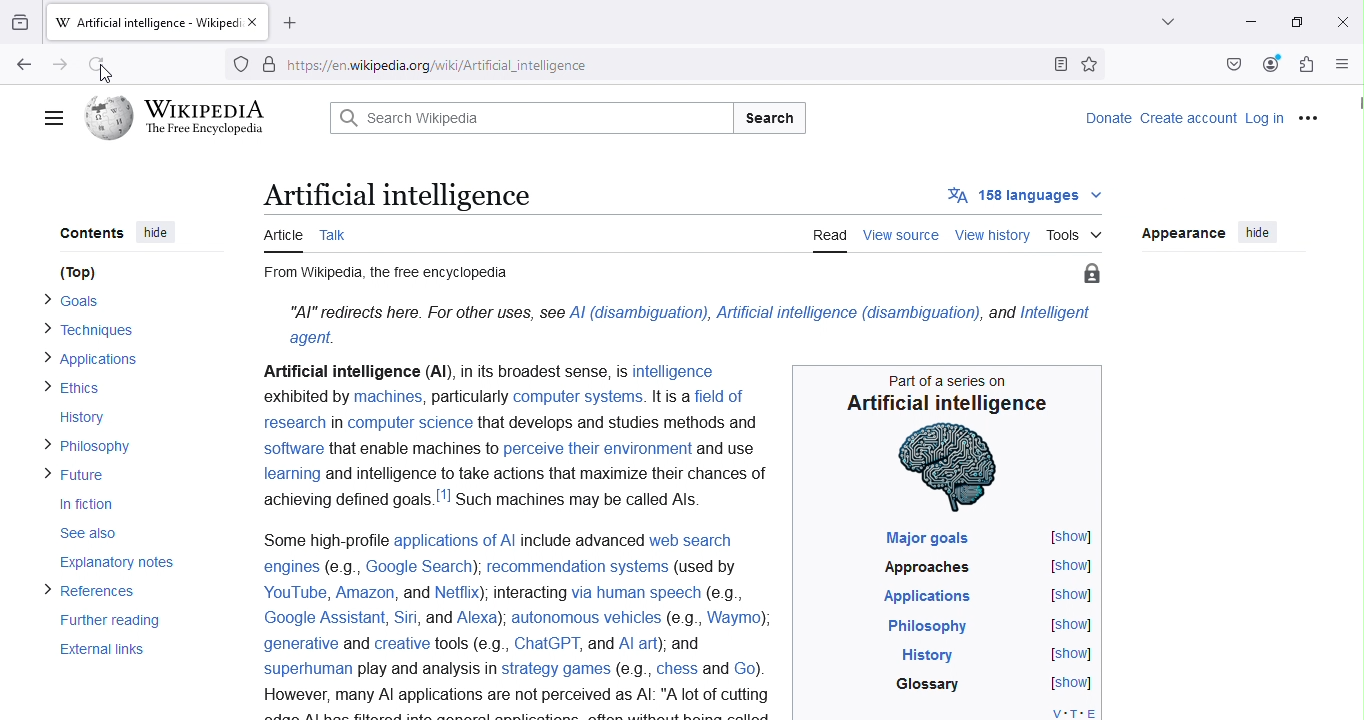  Describe the element at coordinates (108, 81) in the screenshot. I see `Cursor` at that location.